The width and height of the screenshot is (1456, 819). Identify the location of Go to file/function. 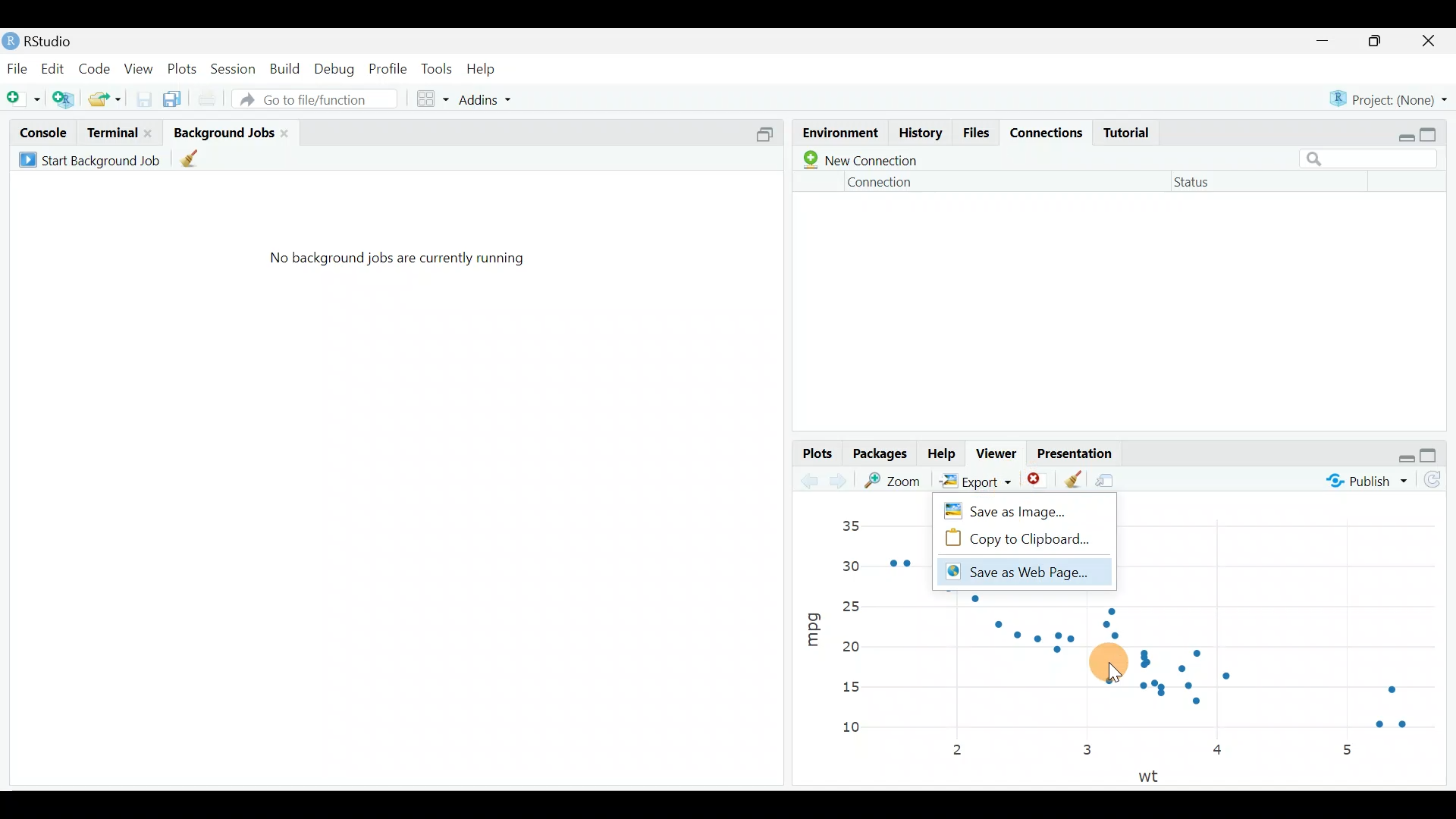
(313, 99).